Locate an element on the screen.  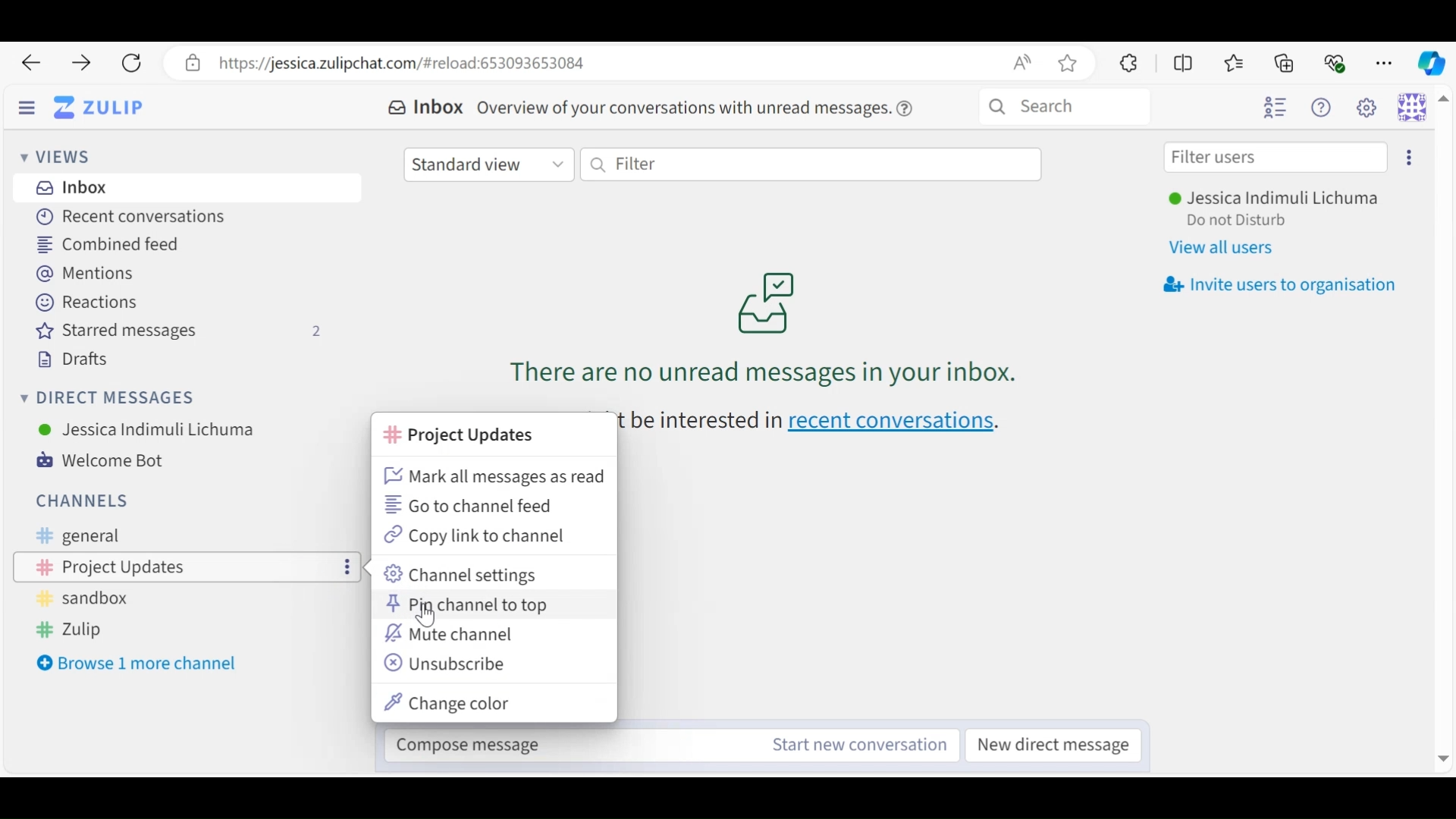
New direct message is located at coordinates (1058, 745).